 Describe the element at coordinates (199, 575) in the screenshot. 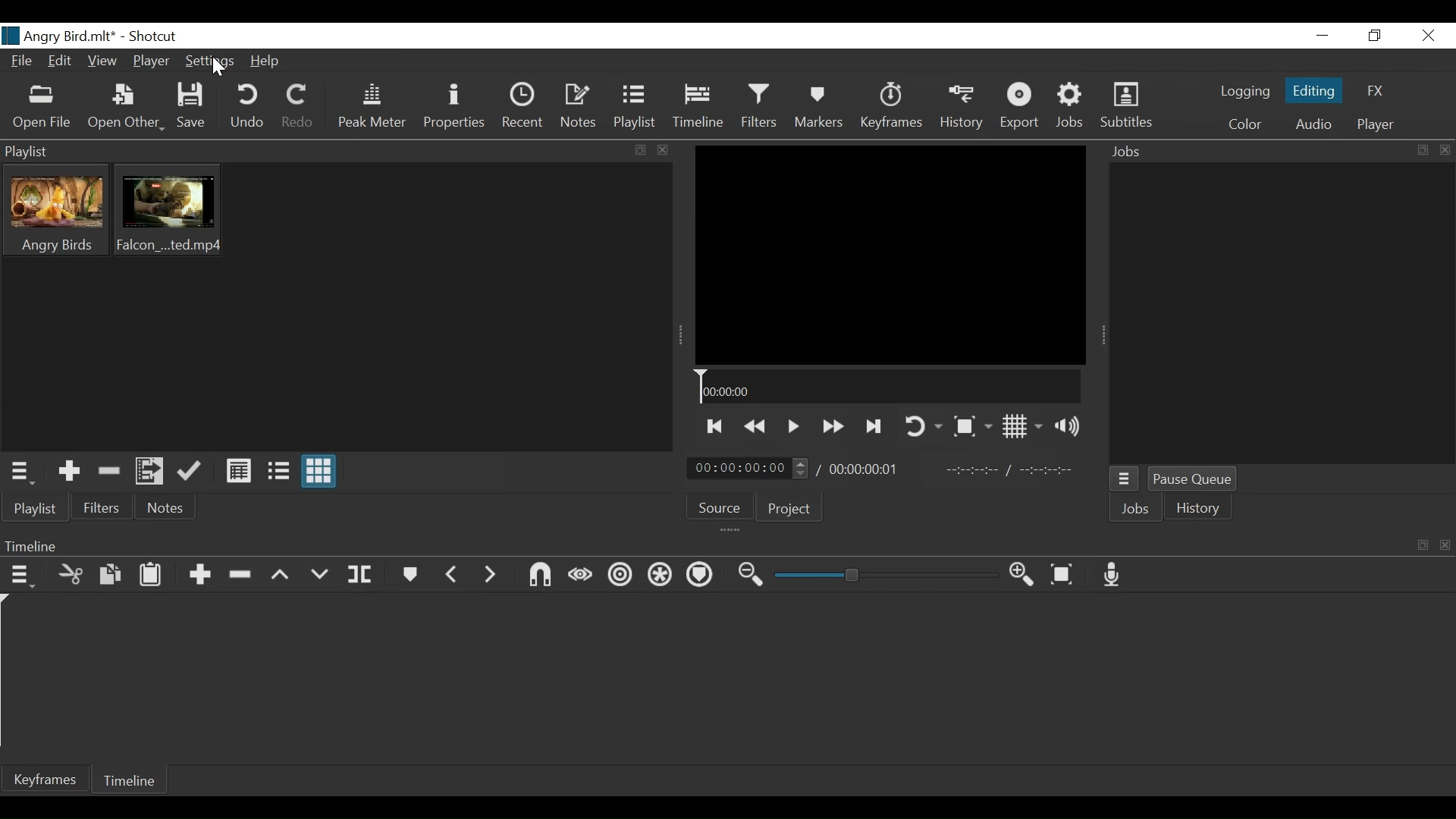

I see `Append` at that location.